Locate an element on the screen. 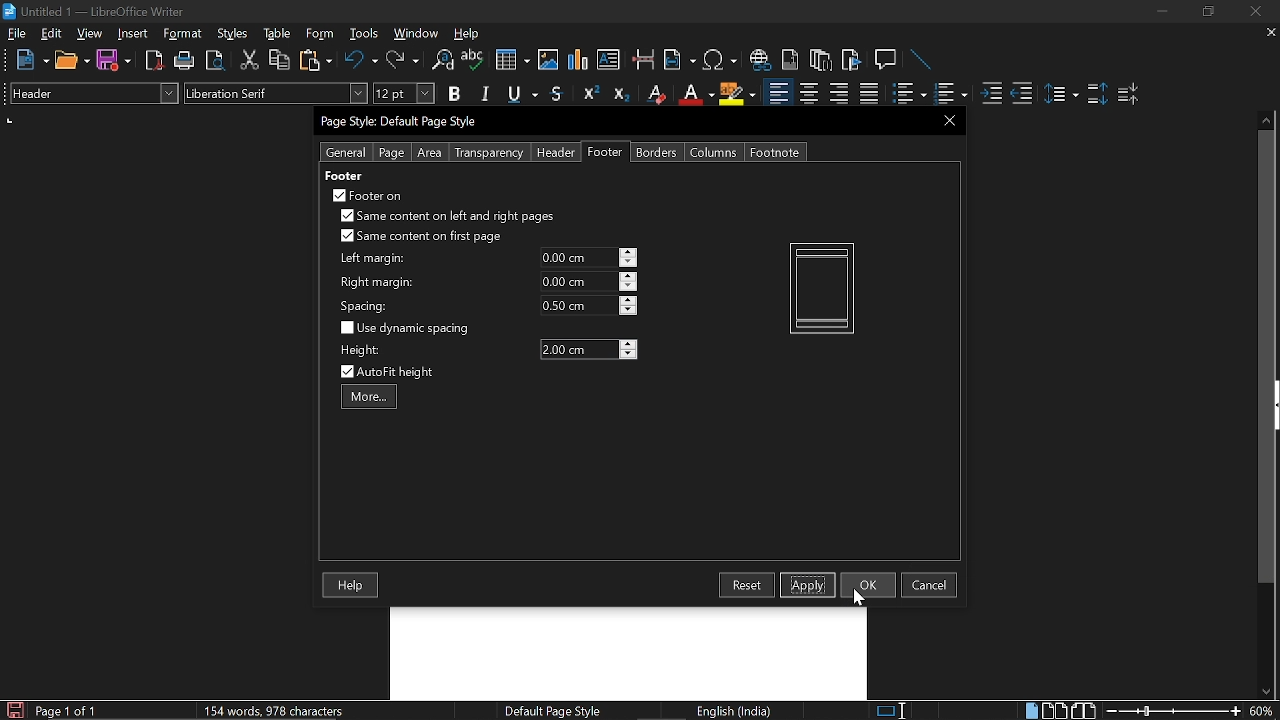  Footer is located at coordinates (606, 152).